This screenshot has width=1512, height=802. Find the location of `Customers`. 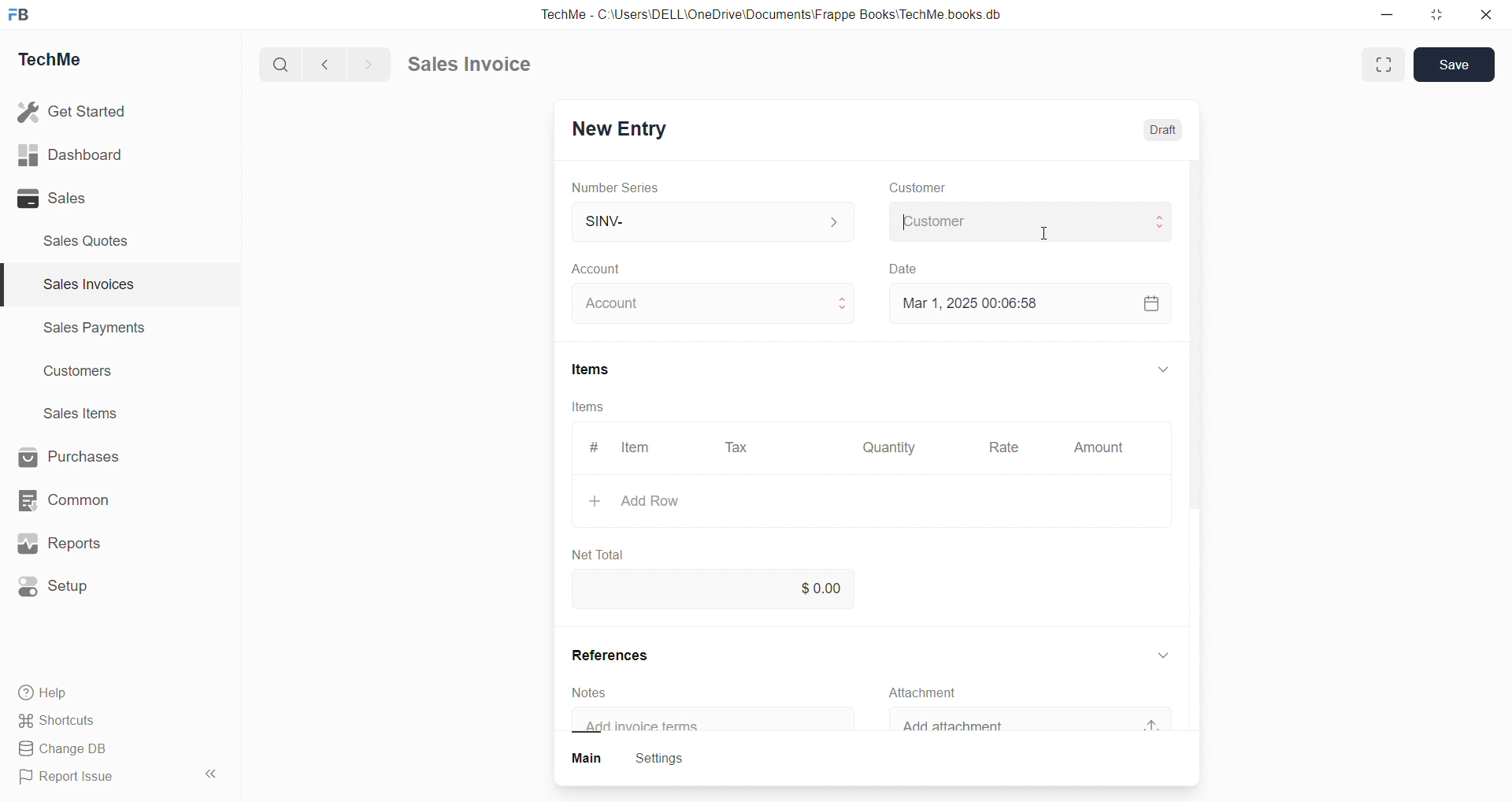

Customers is located at coordinates (87, 375).